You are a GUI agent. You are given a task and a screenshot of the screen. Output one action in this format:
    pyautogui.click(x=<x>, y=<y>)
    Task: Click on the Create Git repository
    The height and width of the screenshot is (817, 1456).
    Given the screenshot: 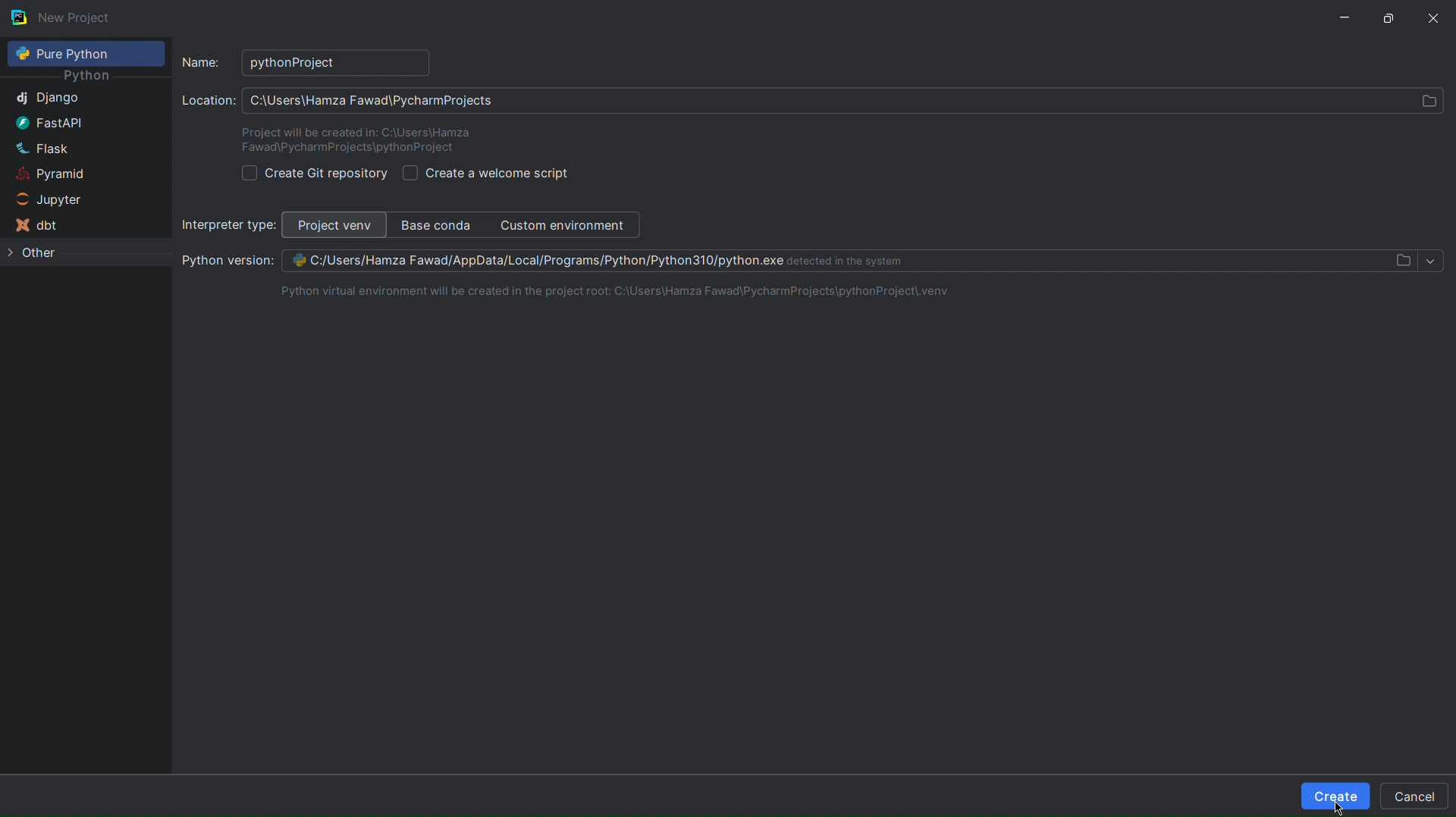 What is the action you would take?
    pyautogui.click(x=311, y=174)
    